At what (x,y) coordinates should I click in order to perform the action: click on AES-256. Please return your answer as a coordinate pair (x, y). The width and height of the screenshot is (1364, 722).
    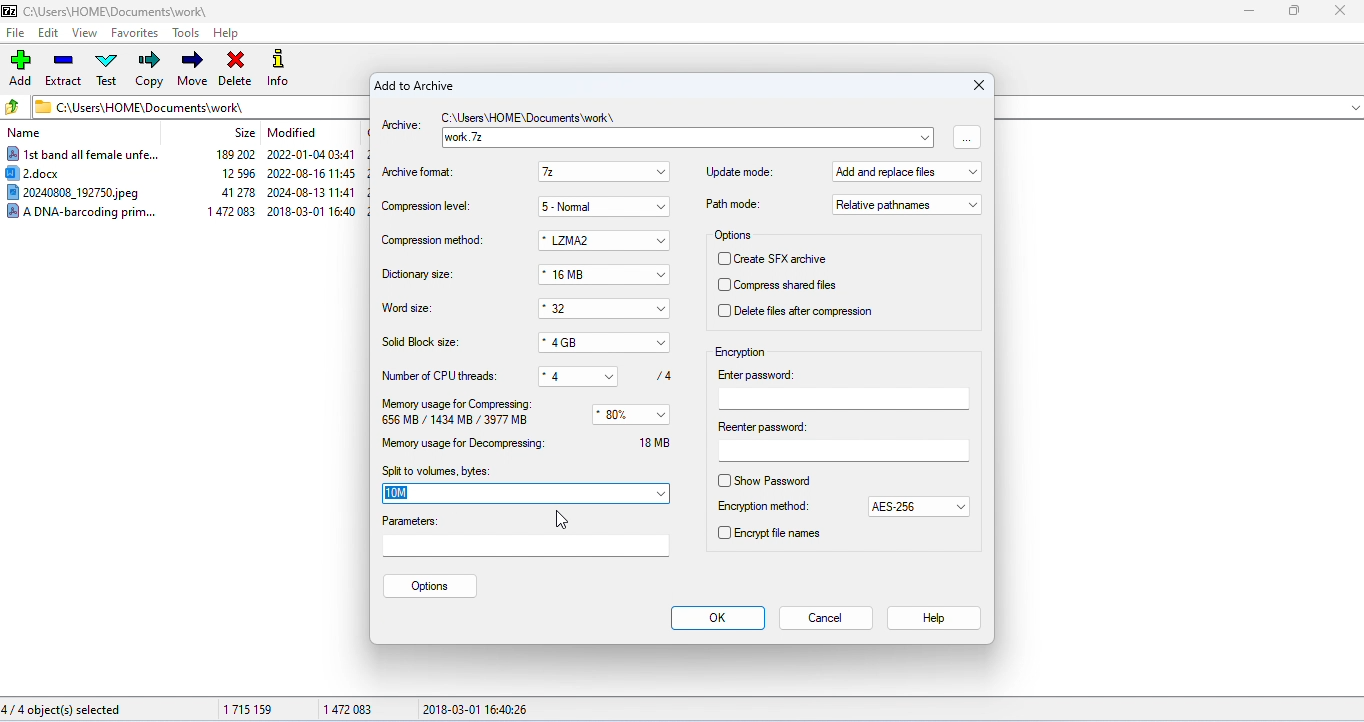
    Looking at the image, I should click on (907, 508).